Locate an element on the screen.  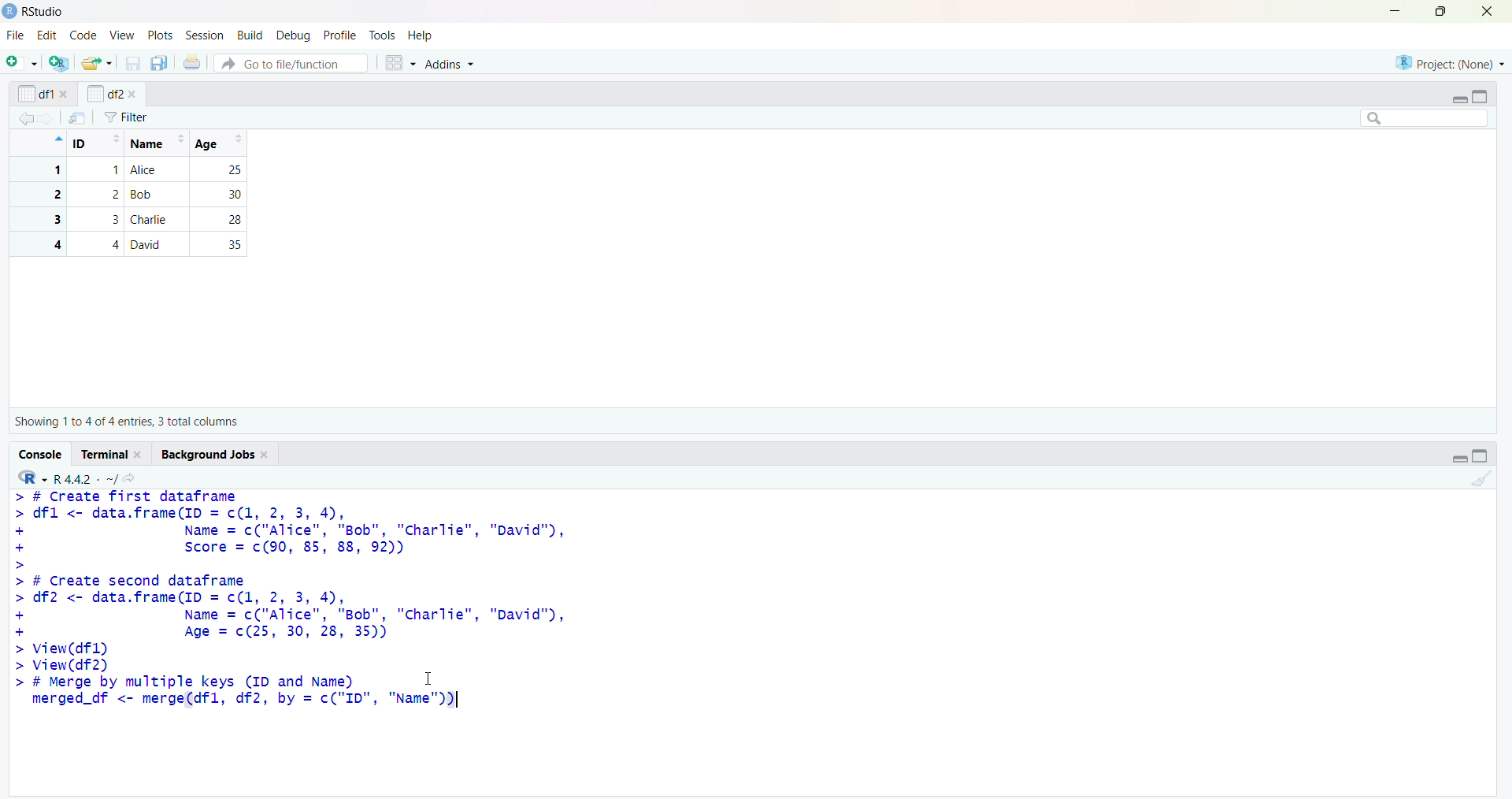
df1 is located at coordinates (35, 94).